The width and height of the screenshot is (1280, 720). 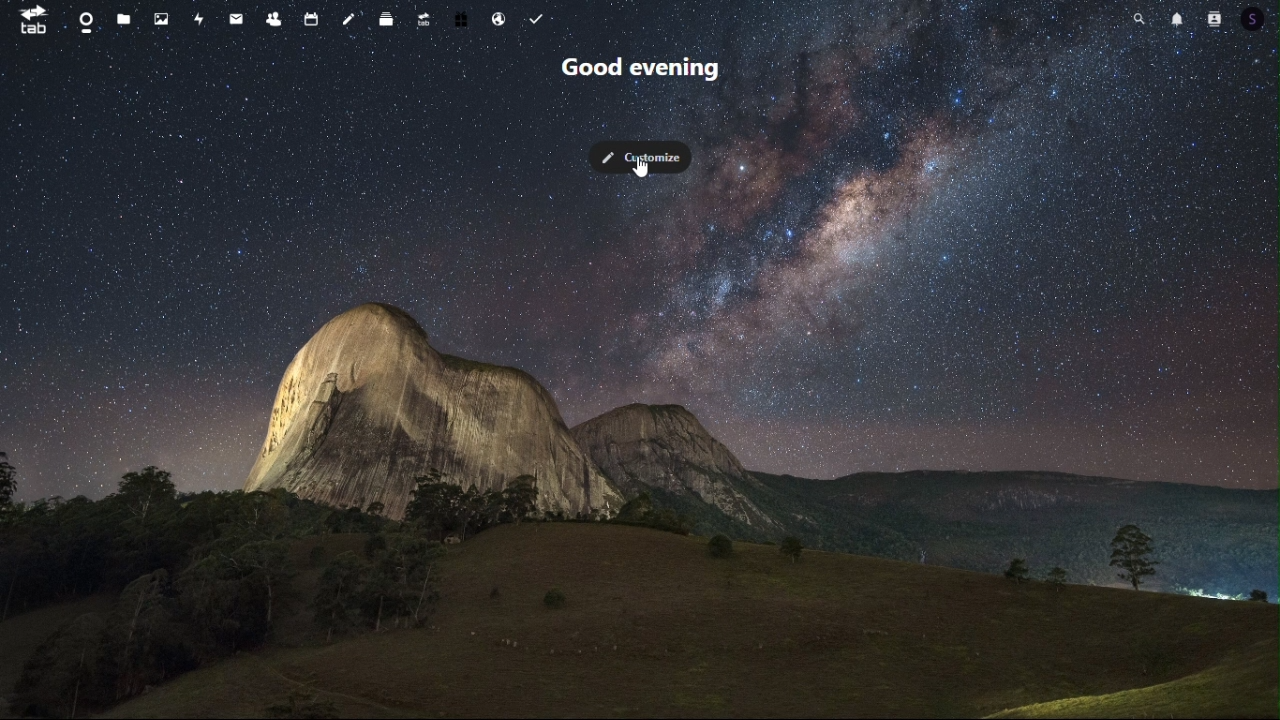 What do you see at coordinates (272, 19) in the screenshot?
I see `Contacts` at bounding box center [272, 19].